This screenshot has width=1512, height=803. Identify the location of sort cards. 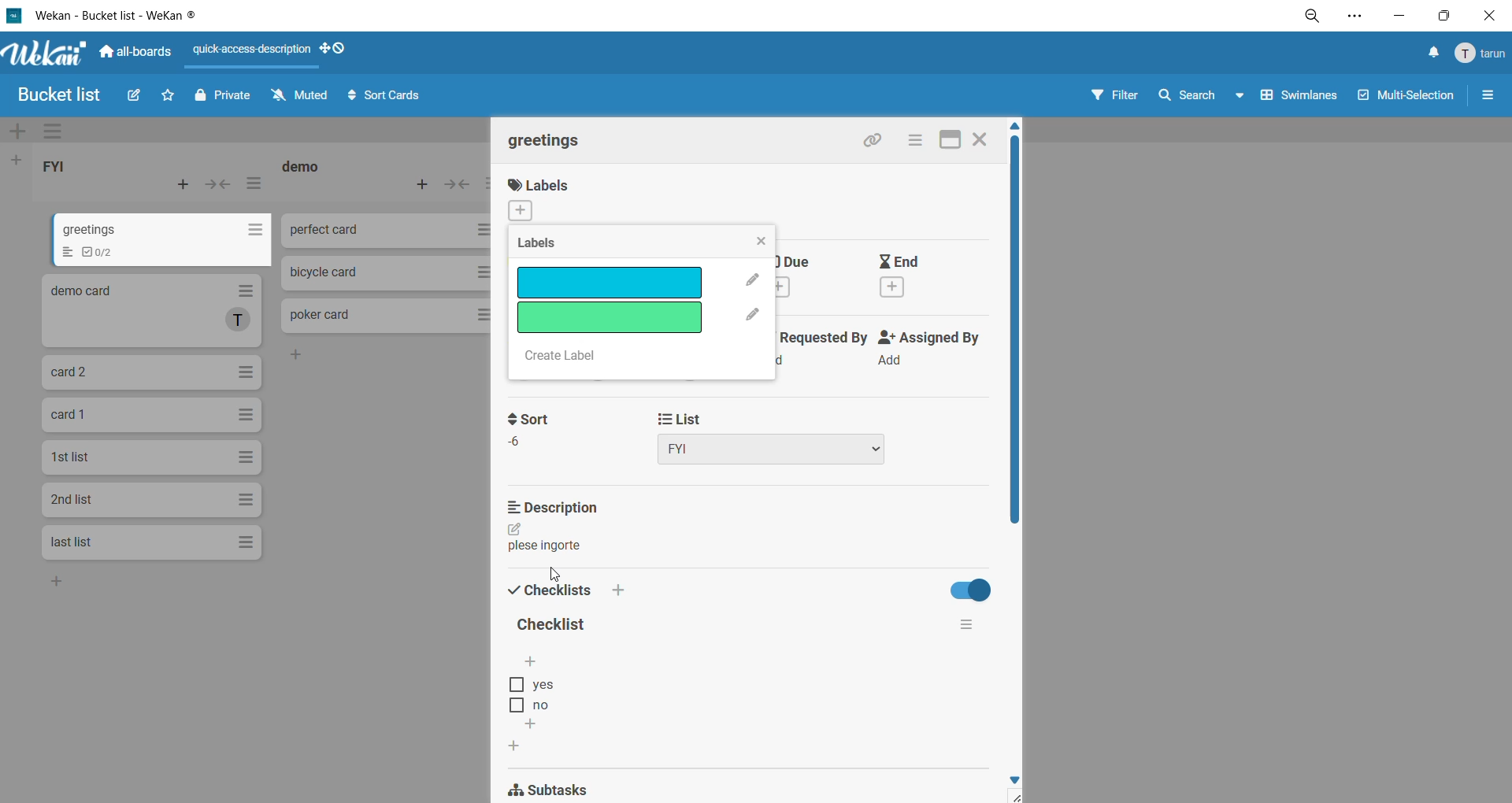
(390, 97).